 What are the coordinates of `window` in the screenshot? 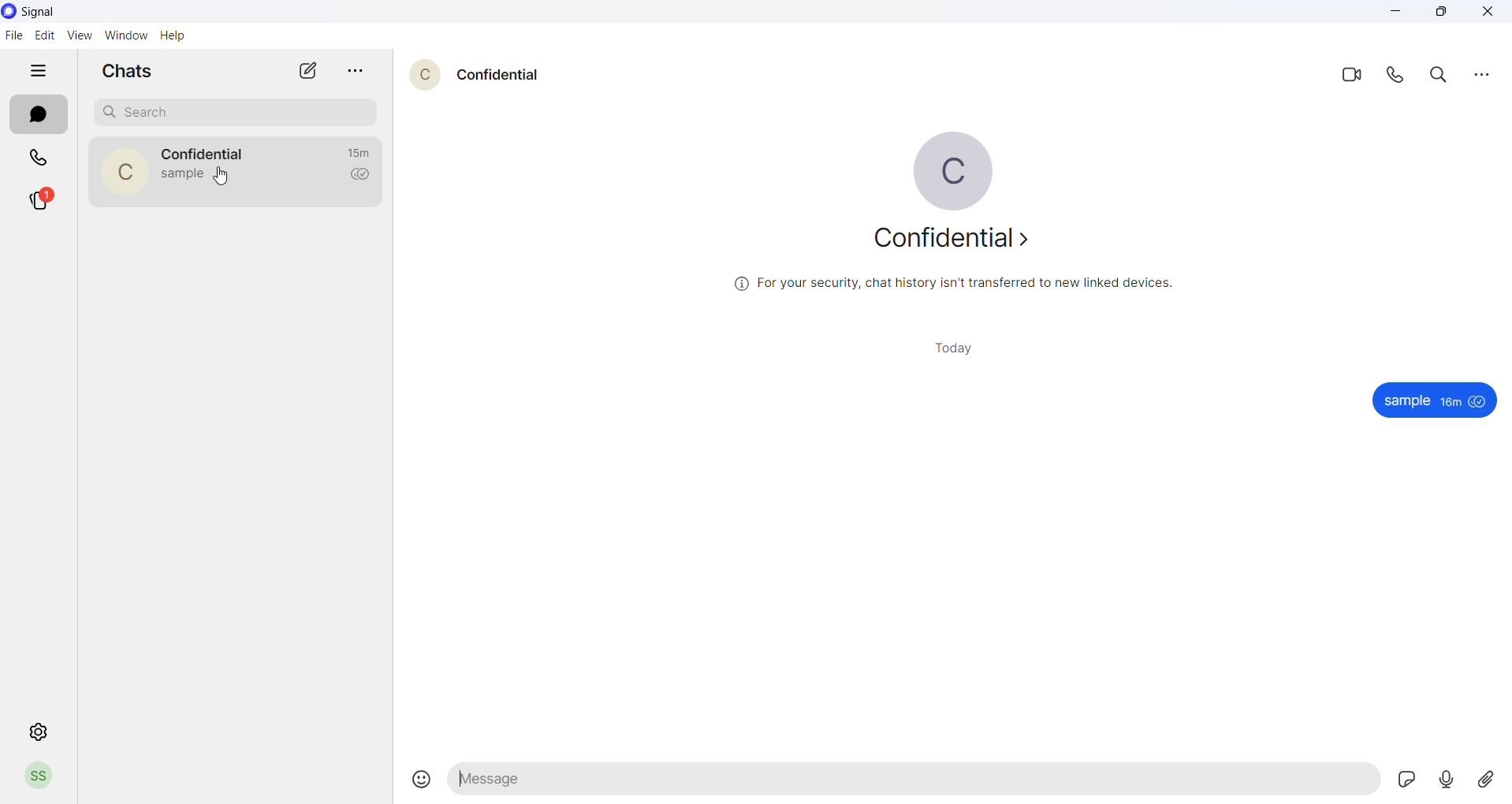 It's located at (123, 35).